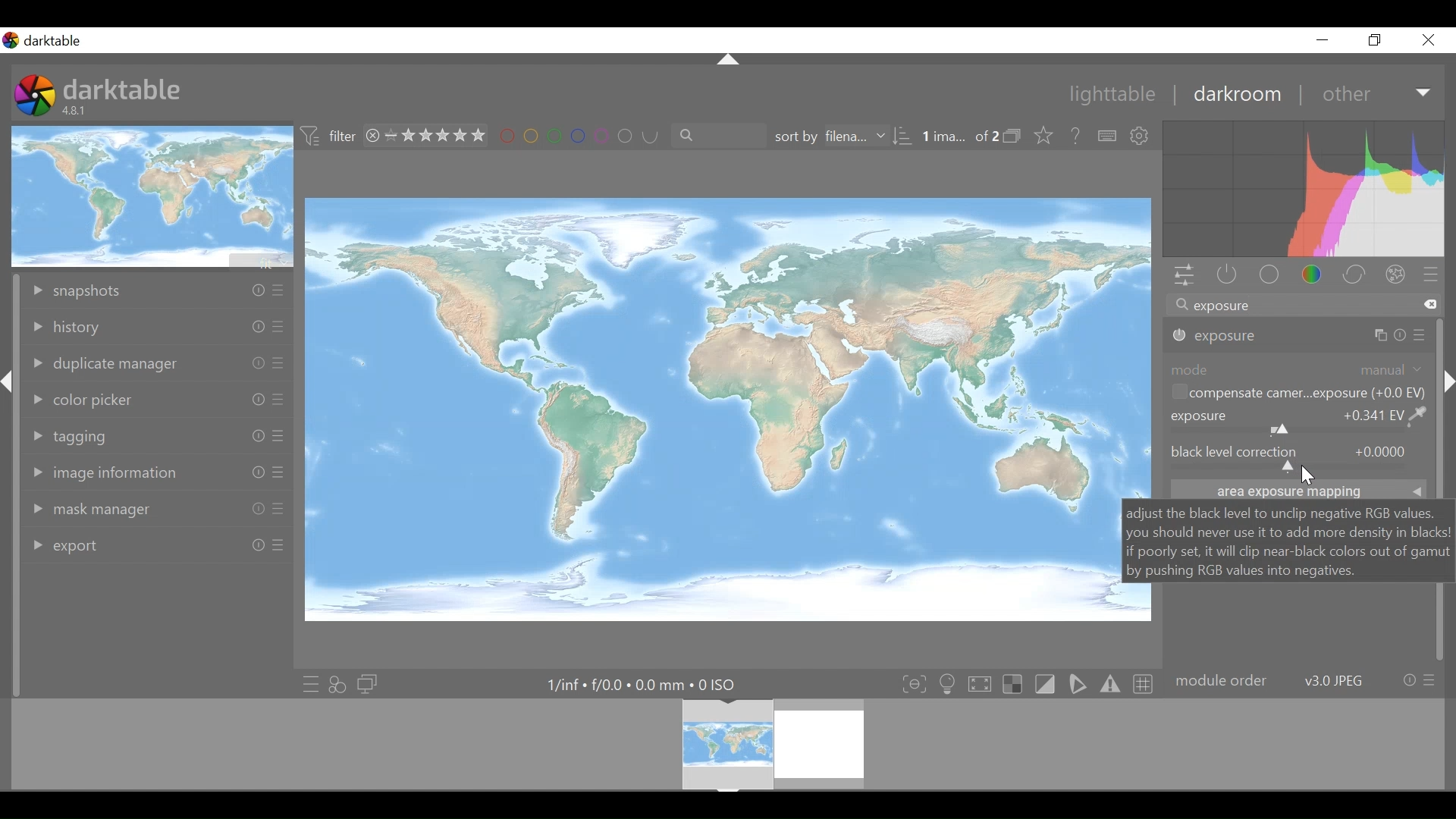  What do you see at coordinates (1299, 336) in the screenshot?
I see `exposure panel` at bounding box center [1299, 336].